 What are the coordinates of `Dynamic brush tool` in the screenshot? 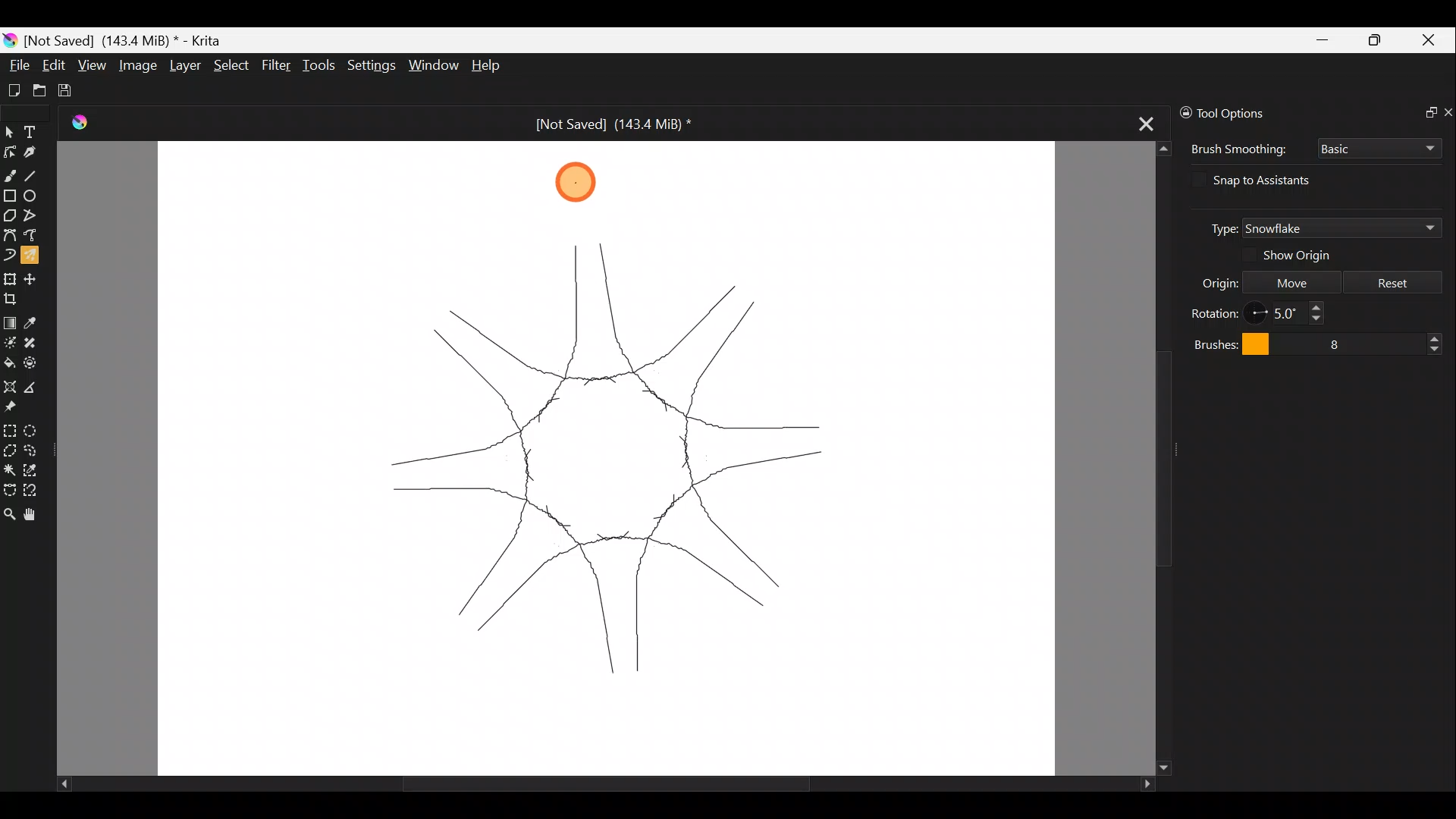 It's located at (9, 255).